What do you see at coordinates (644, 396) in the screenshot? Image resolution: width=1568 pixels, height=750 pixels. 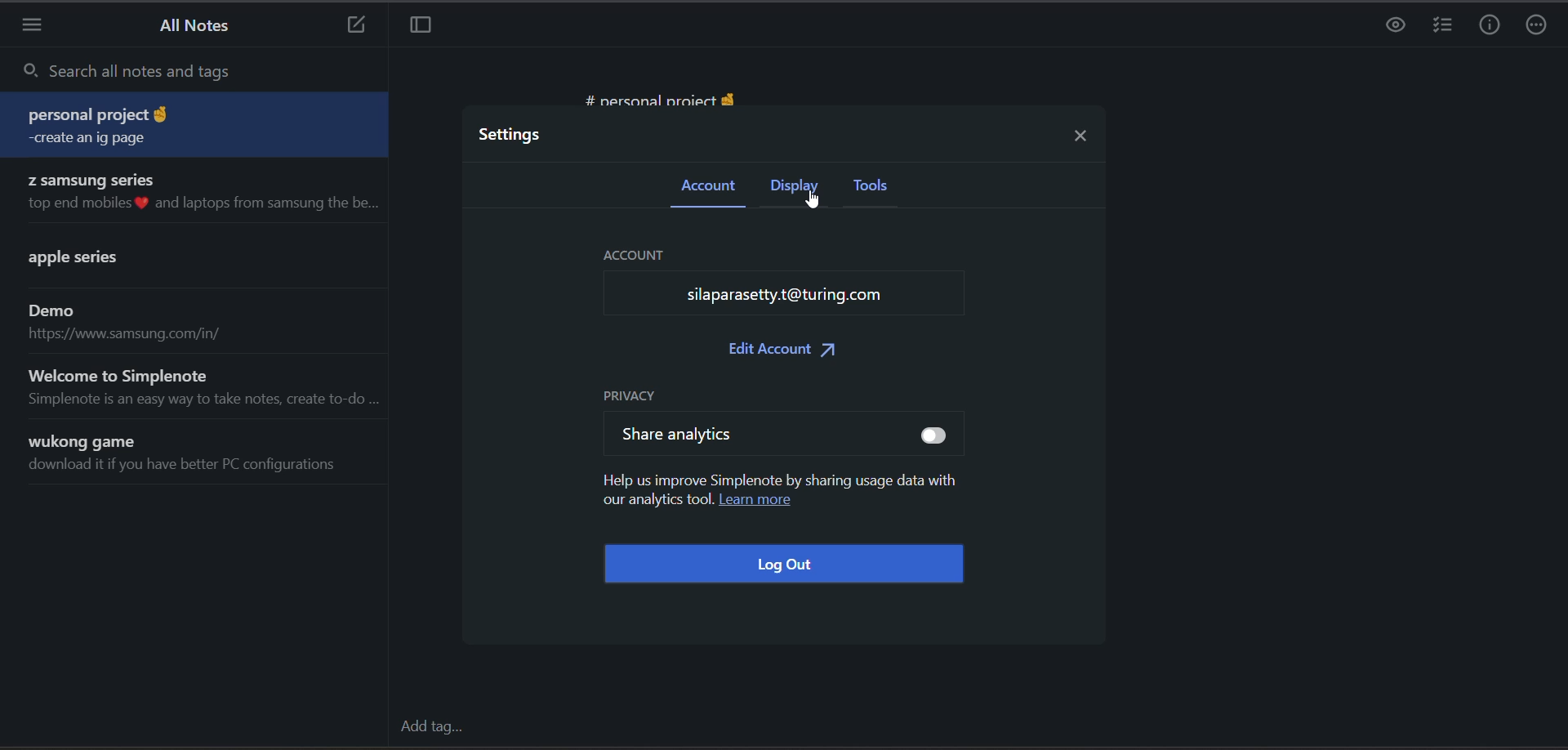 I see `privacy` at bounding box center [644, 396].